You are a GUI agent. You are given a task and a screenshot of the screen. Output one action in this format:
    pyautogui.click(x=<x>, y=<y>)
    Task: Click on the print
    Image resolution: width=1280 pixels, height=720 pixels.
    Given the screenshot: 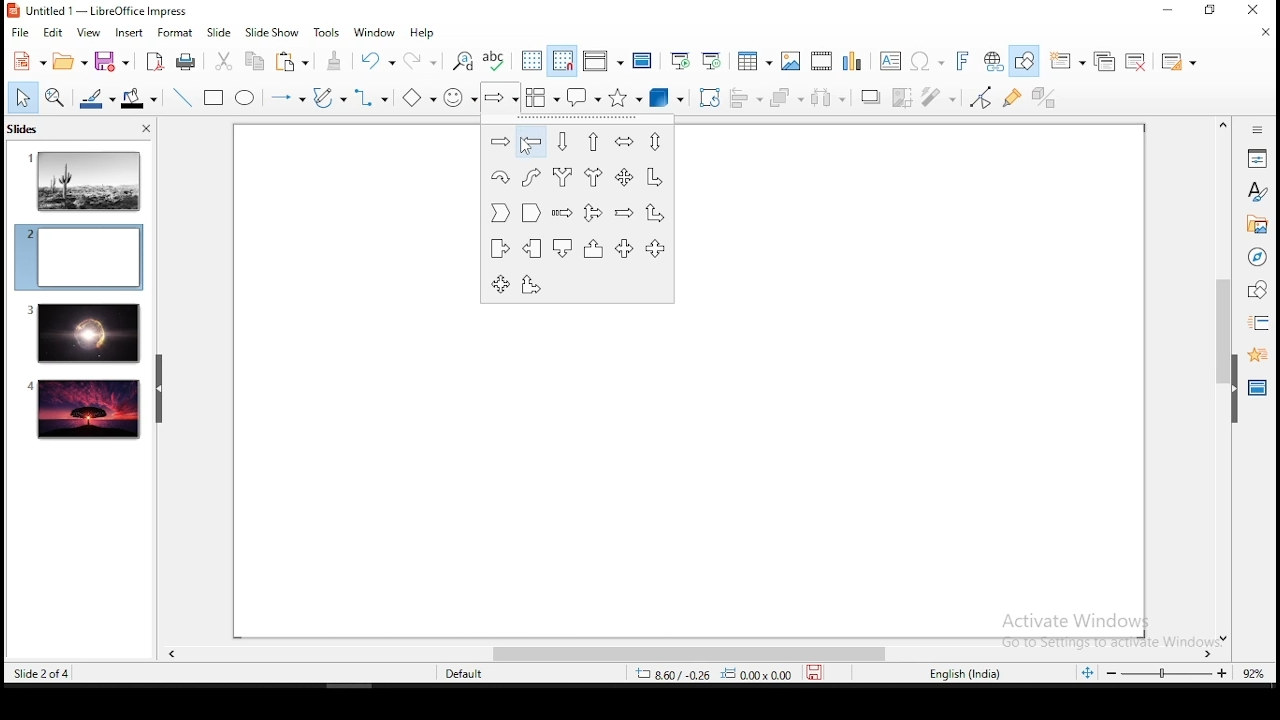 What is the action you would take?
    pyautogui.click(x=188, y=61)
    